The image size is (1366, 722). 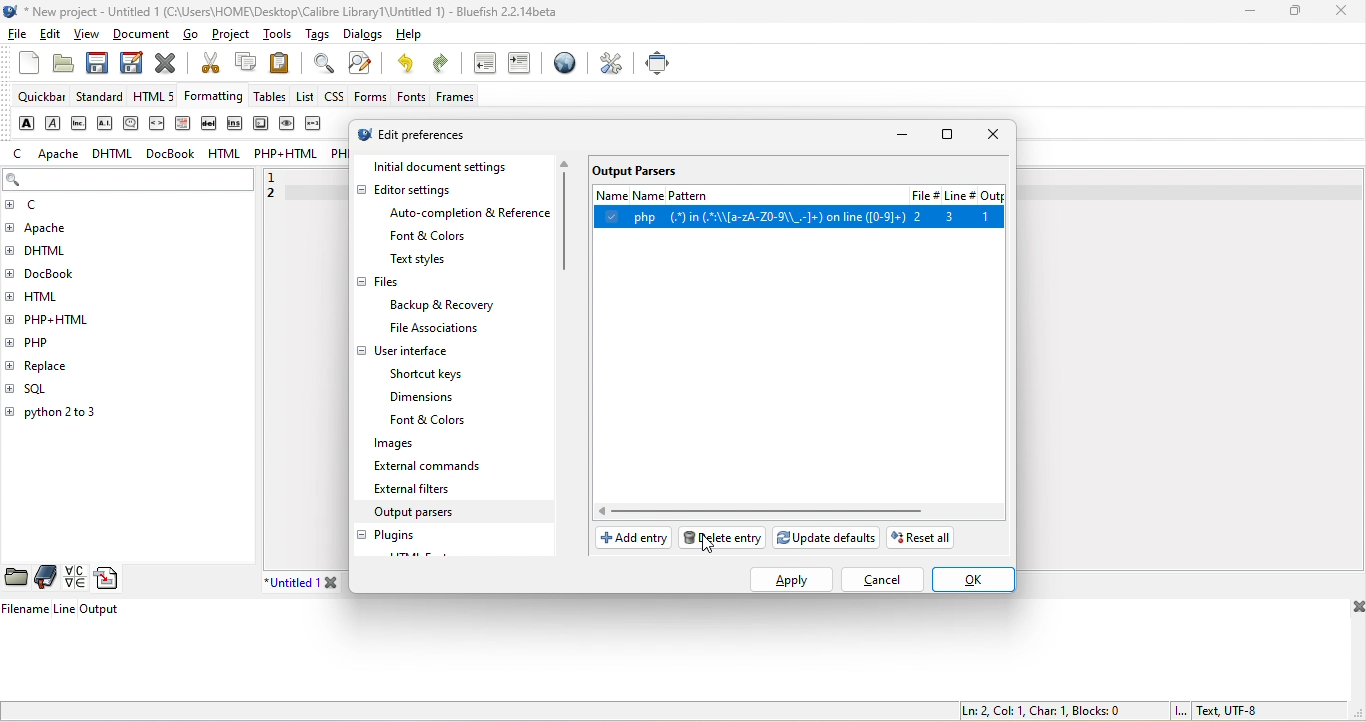 I want to click on fonts, so click(x=407, y=97).